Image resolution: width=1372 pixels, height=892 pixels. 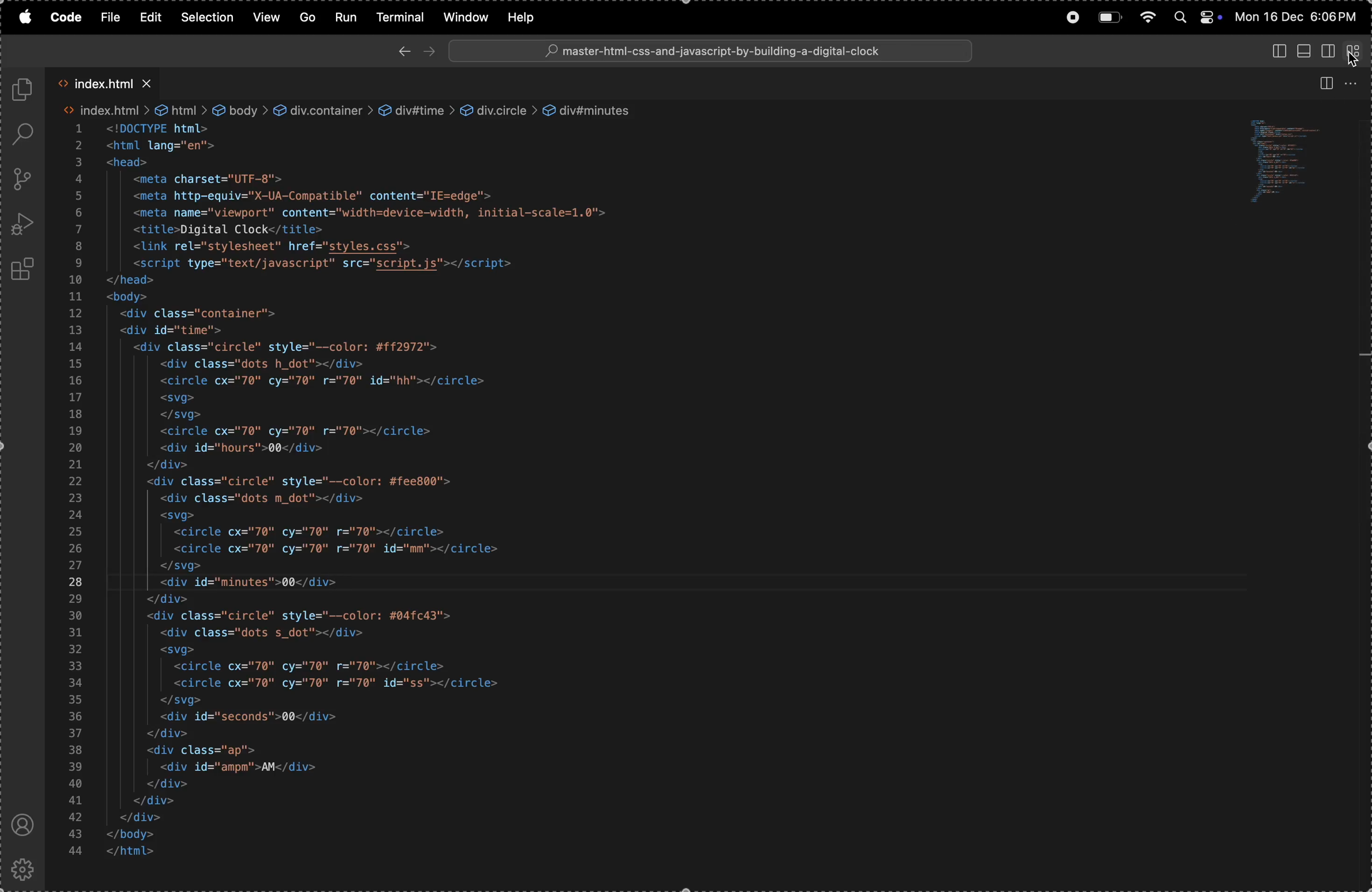 I want to click on run debug, so click(x=24, y=225).